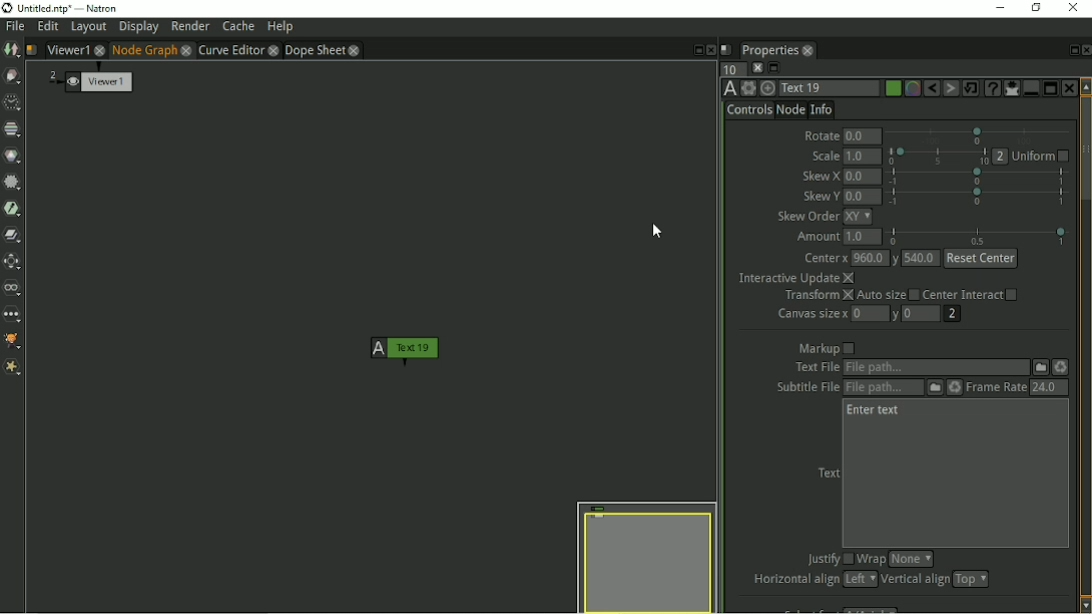 The height and width of the screenshot is (614, 1092). I want to click on Close, so click(1085, 50).